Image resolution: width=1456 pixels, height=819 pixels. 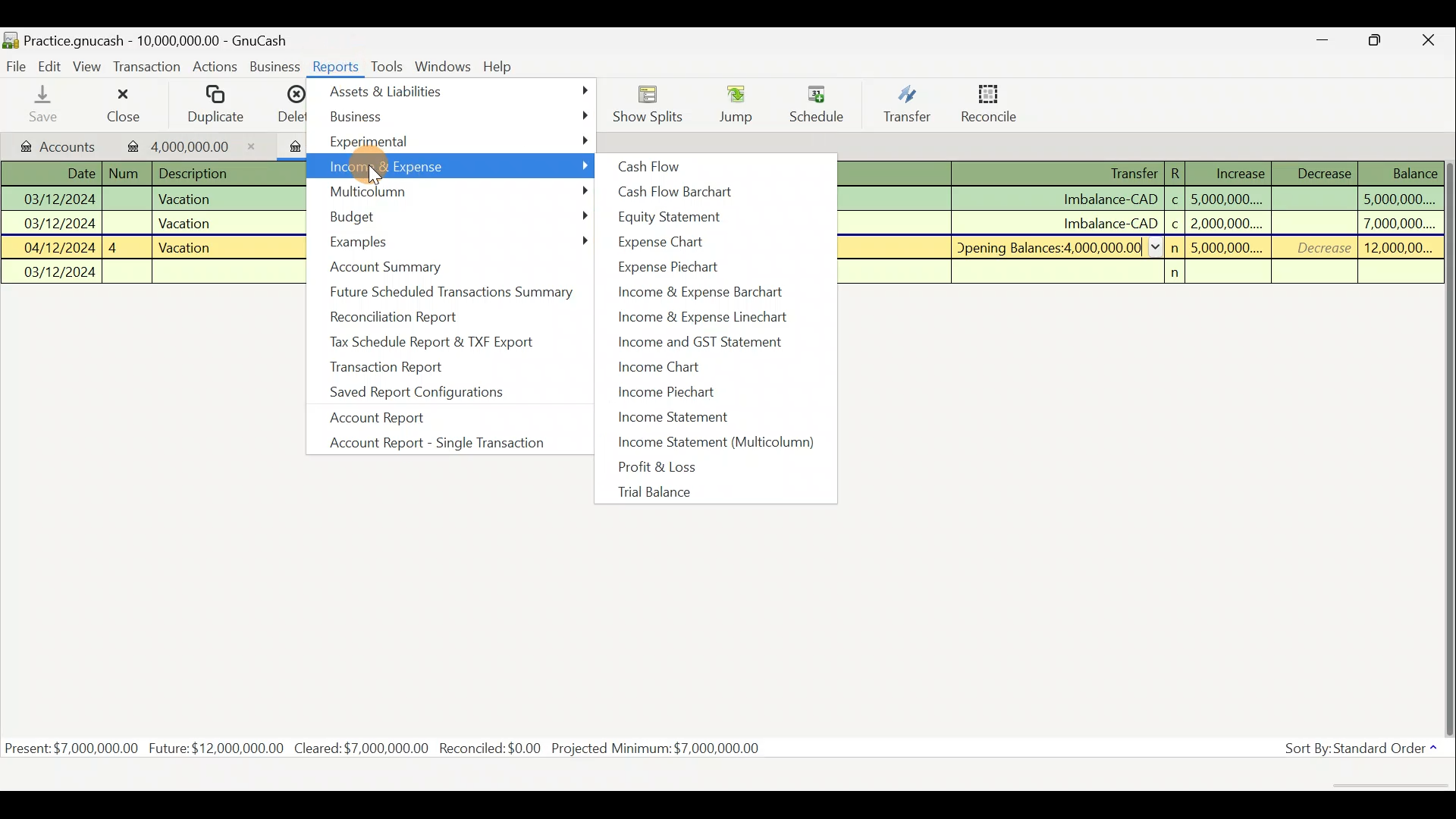 What do you see at coordinates (337, 66) in the screenshot?
I see `Reports` at bounding box center [337, 66].